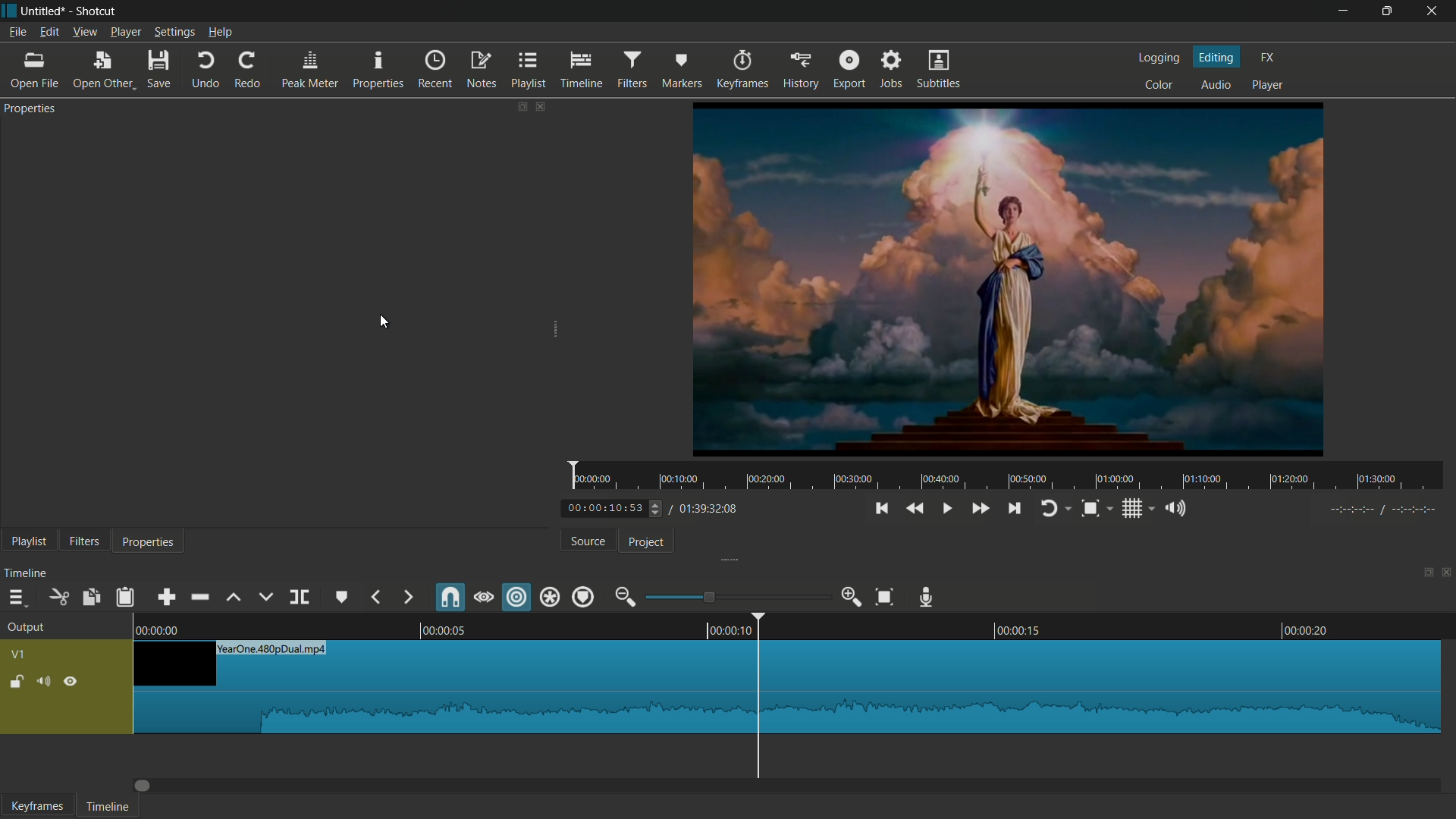 This screenshot has width=1456, height=819. Describe the element at coordinates (540, 106) in the screenshot. I see `close properties` at that location.